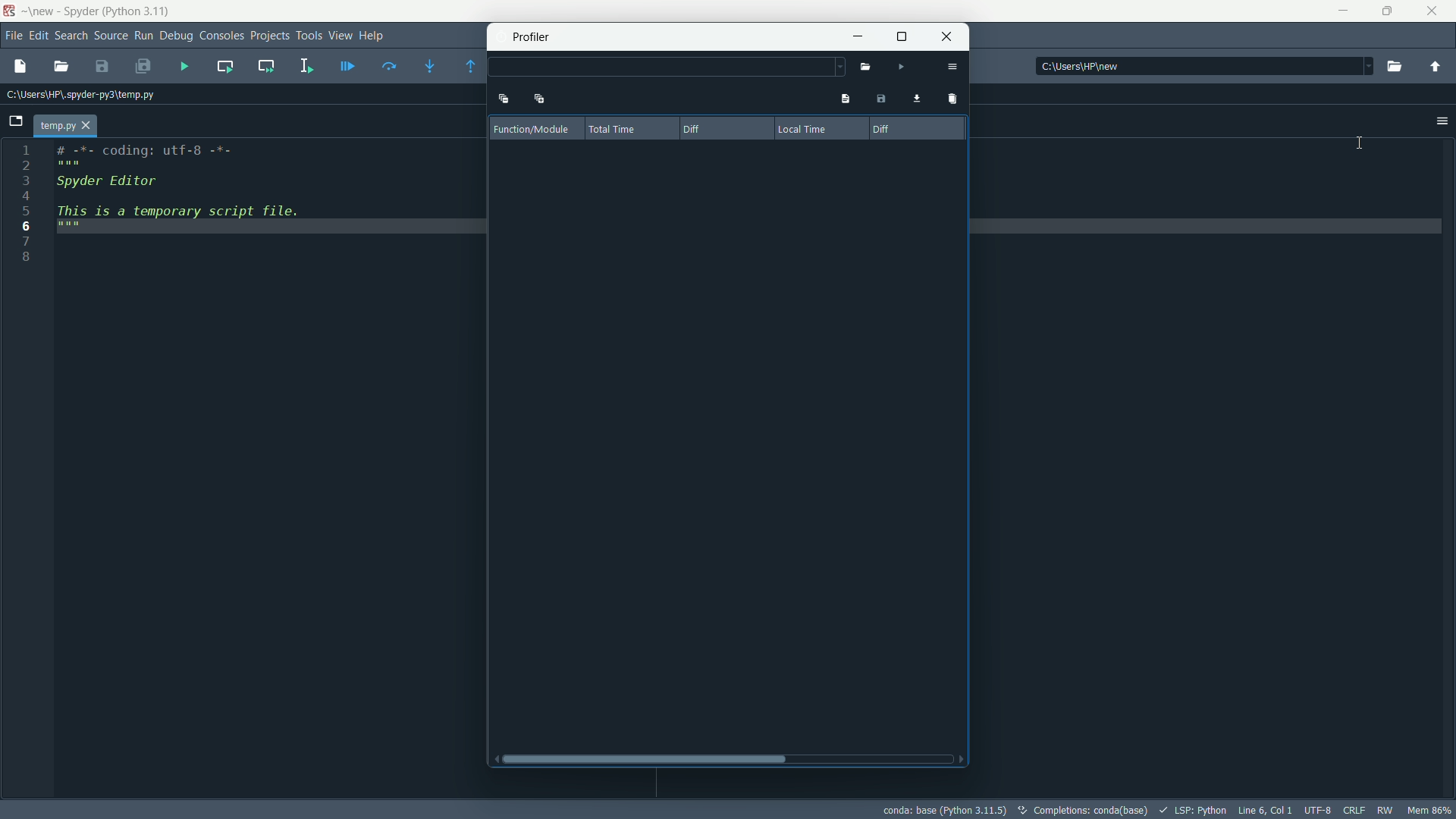 The image size is (1456, 819). I want to click on edit menu, so click(38, 36).